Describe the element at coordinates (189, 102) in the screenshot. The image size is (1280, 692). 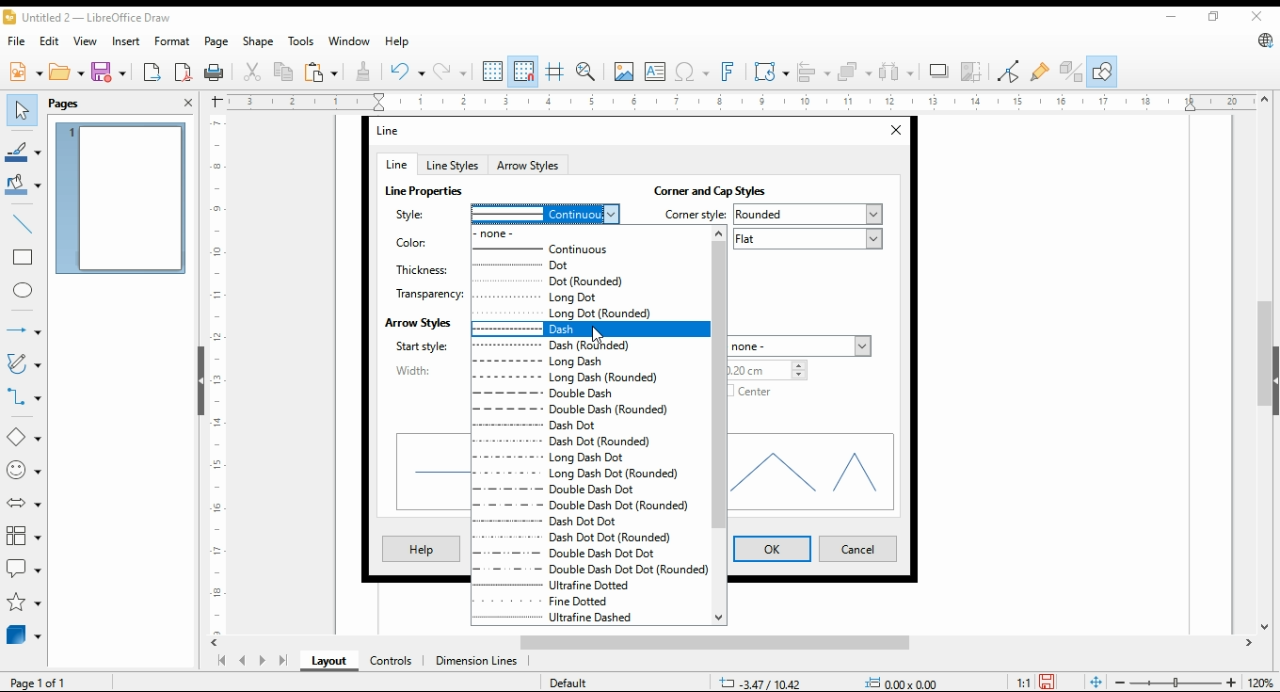
I see `close pane` at that location.